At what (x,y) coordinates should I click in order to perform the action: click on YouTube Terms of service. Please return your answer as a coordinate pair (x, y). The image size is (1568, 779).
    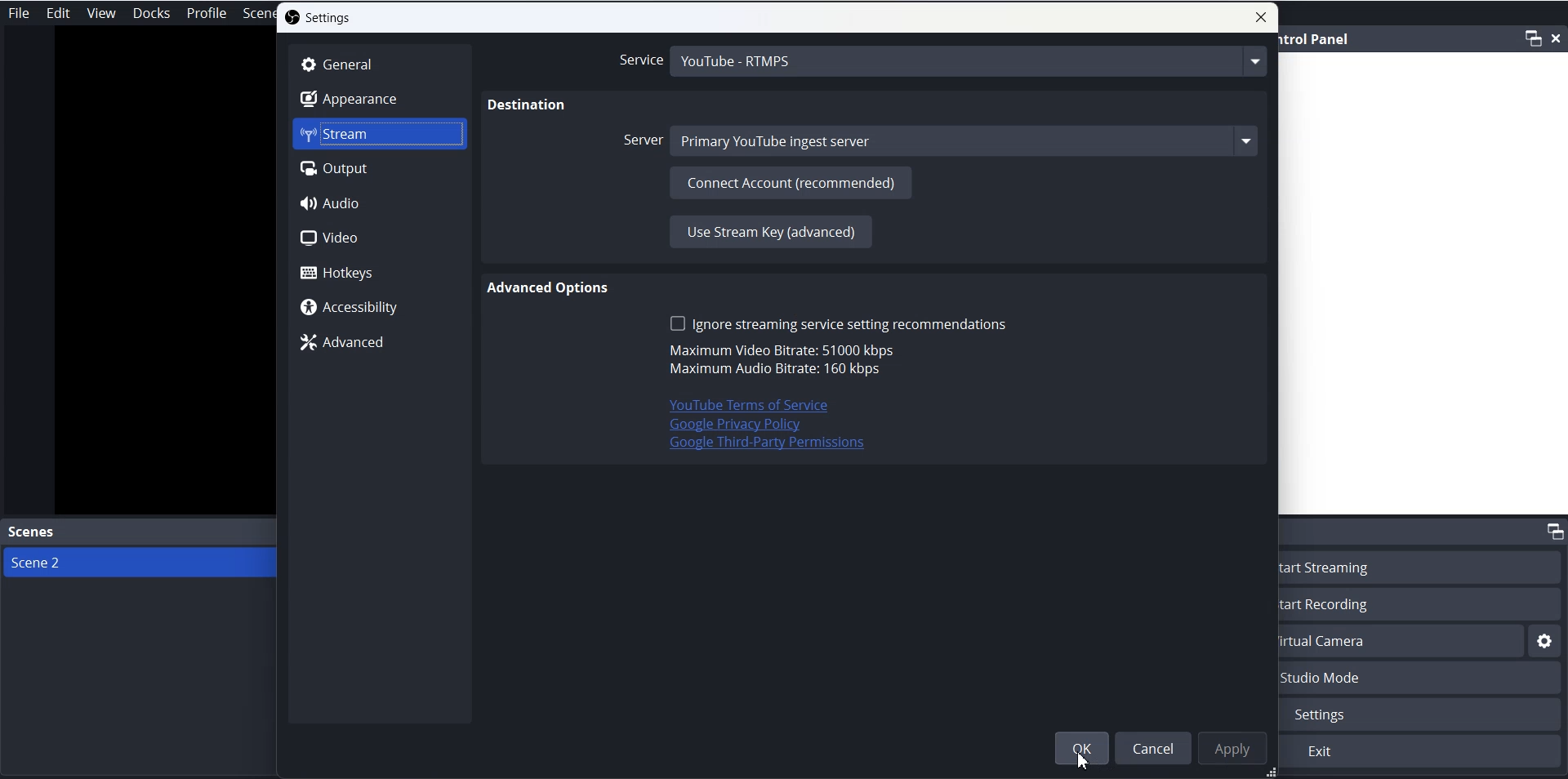
    Looking at the image, I should click on (738, 405).